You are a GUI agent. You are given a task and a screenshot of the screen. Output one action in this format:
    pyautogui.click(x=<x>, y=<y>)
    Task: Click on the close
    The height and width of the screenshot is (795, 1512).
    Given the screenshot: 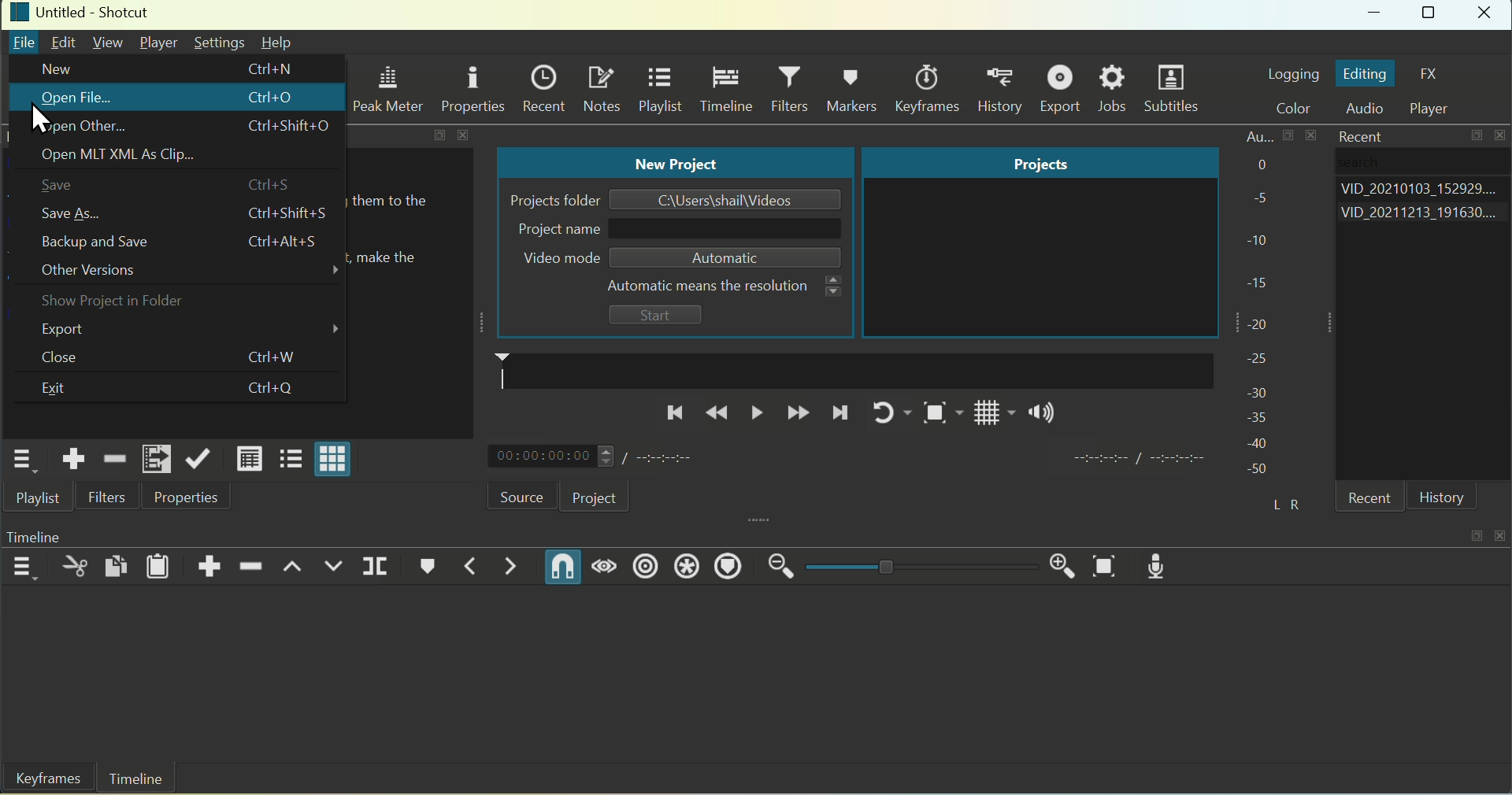 What is the action you would take?
    pyautogui.click(x=1503, y=532)
    